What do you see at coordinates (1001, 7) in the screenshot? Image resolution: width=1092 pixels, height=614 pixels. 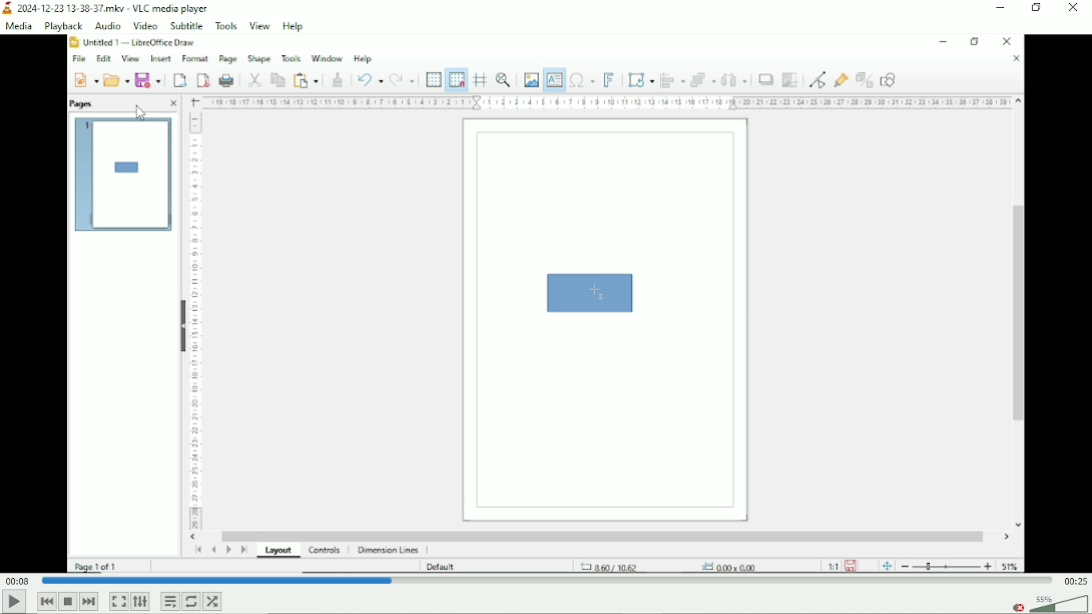 I see `Minimize` at bounding box center [1001, 7].